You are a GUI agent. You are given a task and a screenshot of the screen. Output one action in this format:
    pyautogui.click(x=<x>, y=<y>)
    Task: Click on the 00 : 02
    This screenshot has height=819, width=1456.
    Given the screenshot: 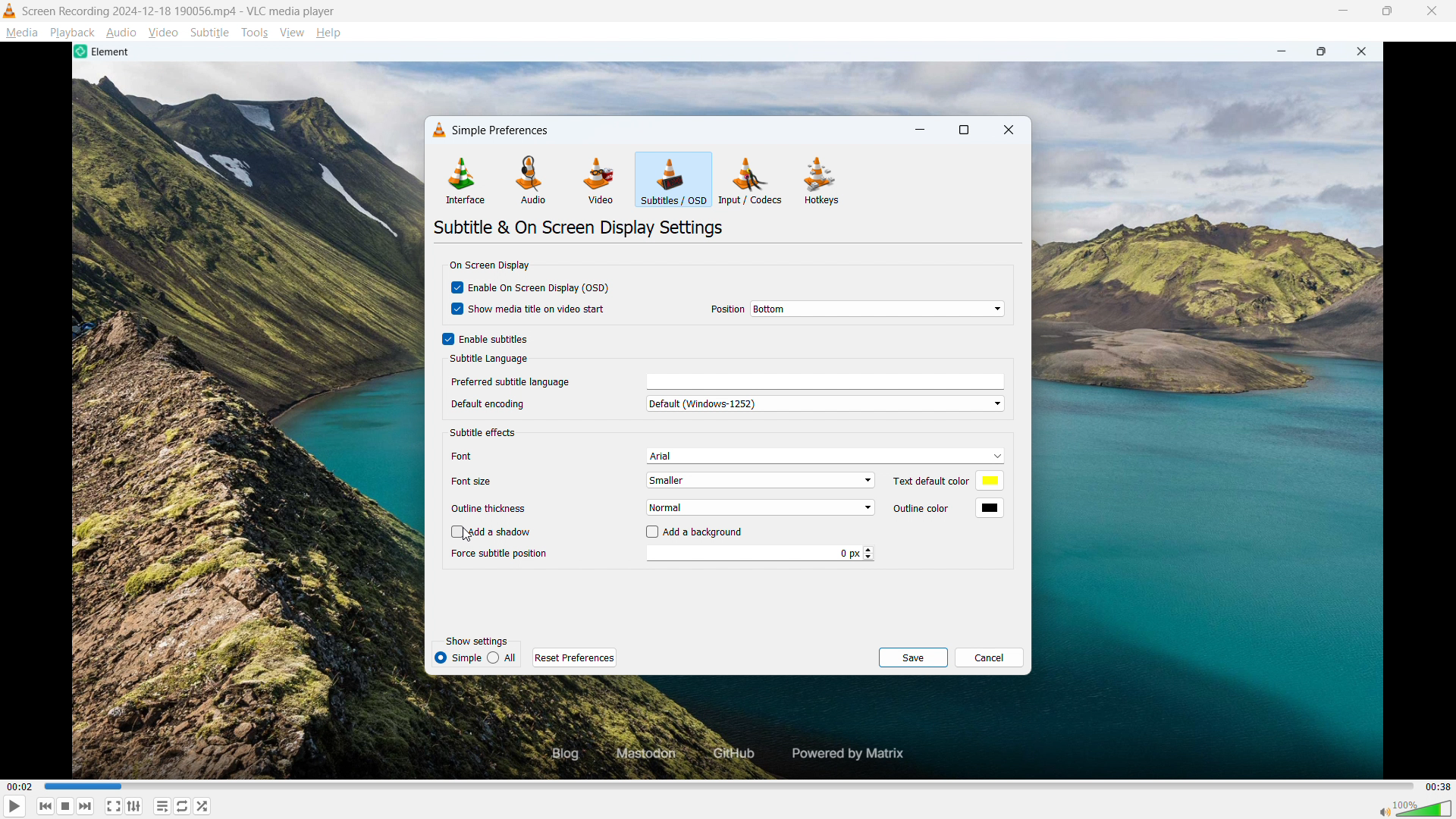 What is the action you would take?
    pyautogui.click(x=19, y=785)
    